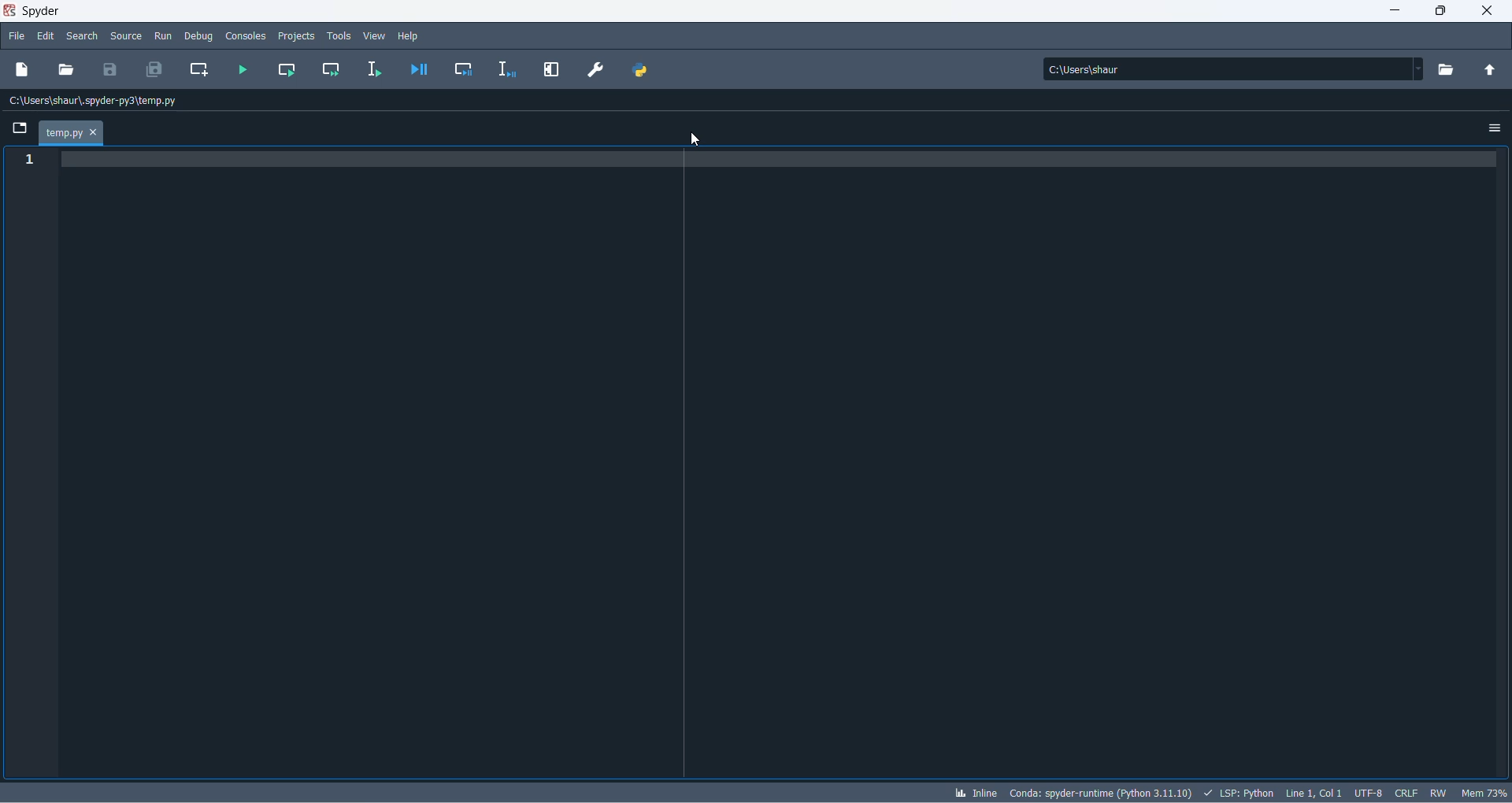 Image resolution: width=1512 pixels, height=803 pixels. I want to click on debug cell, so click(465, 70).